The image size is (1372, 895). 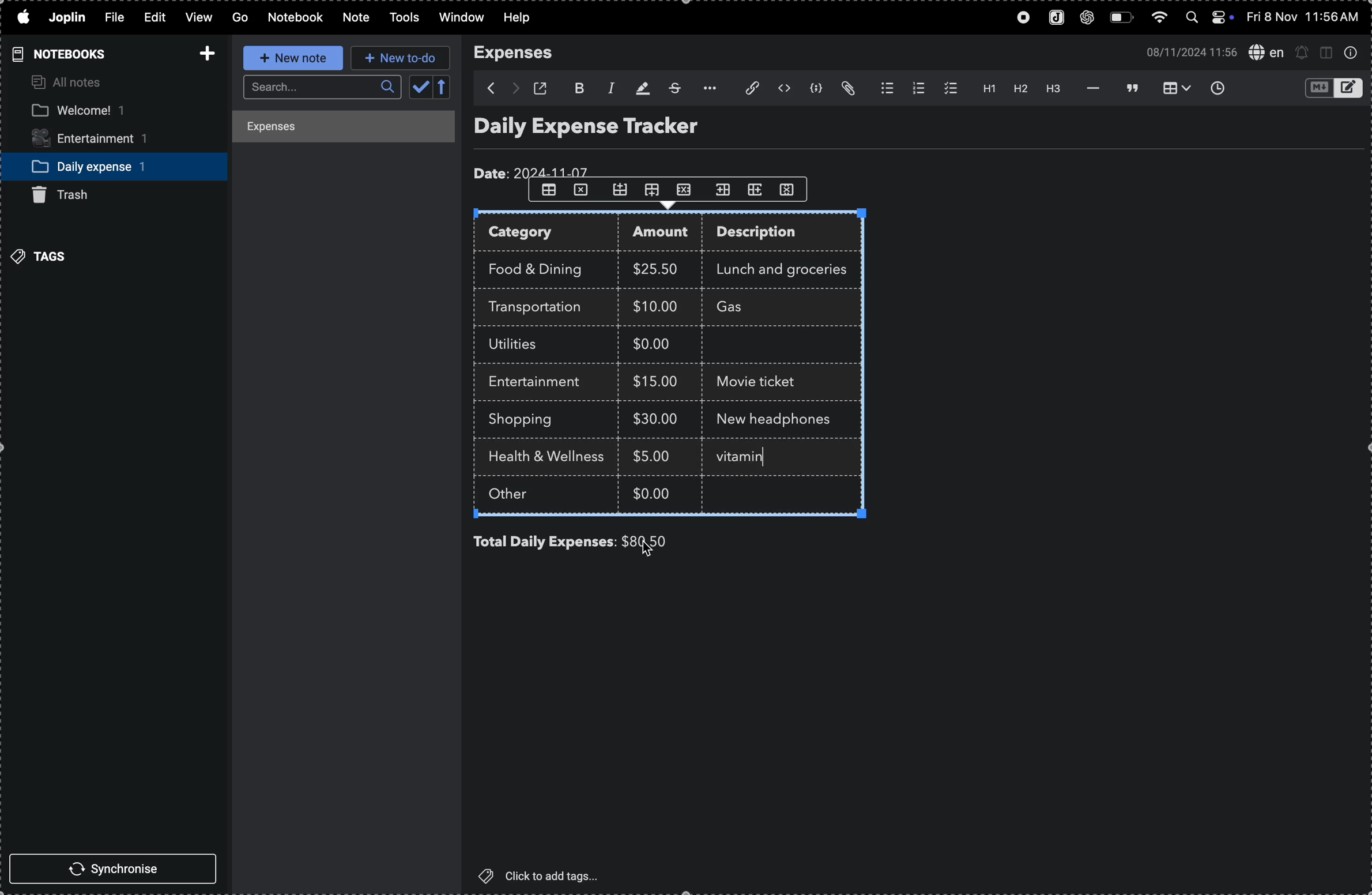 I want to click on date and time, so click(x=1305, y=17).